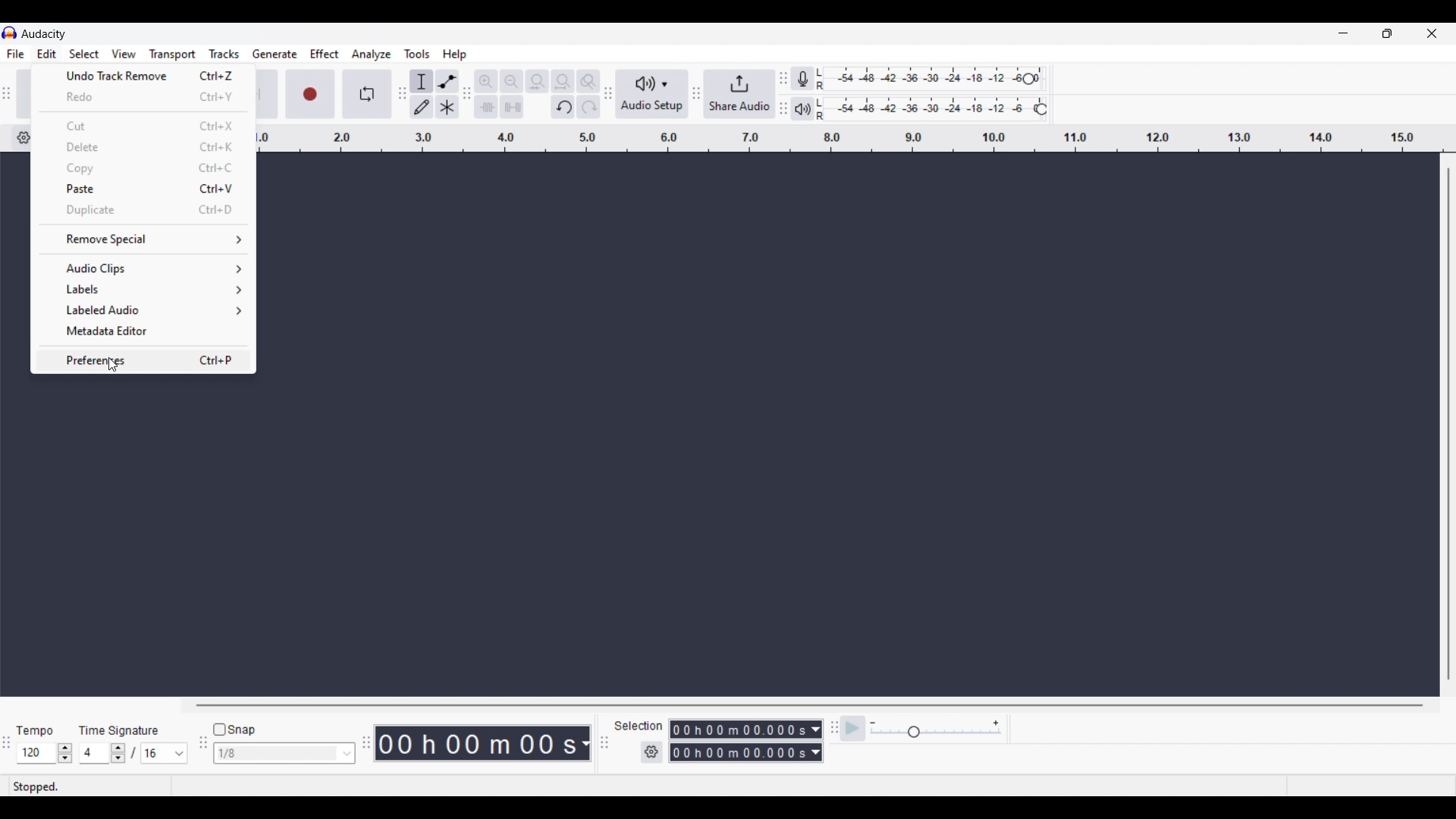 The width and height of the screenshot is (1456, 819). Describe the element at coordinates (422, 107) in the screenshot. I see `Draw tool` at that location.